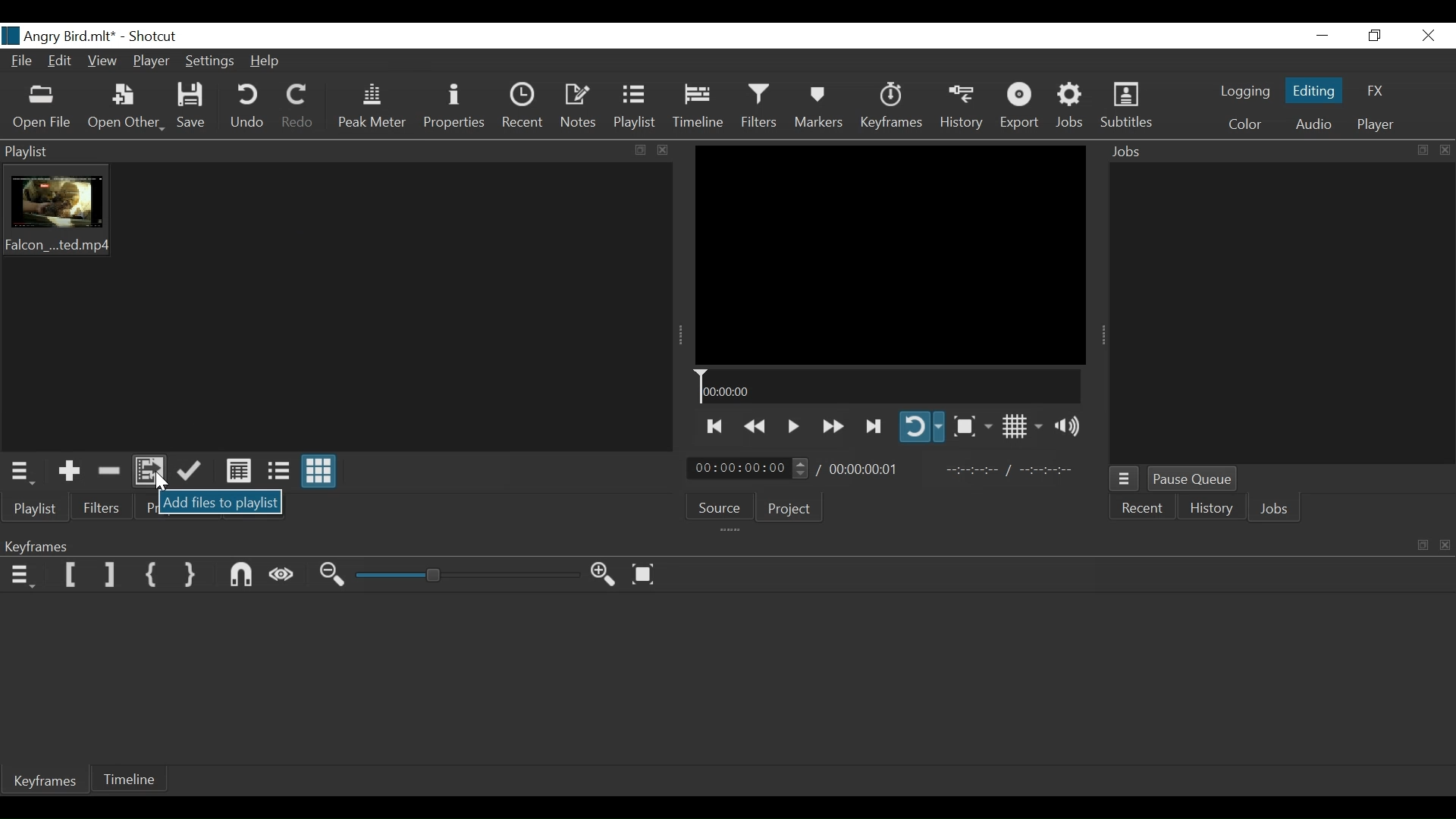 The image size is (1456, 819). Describe the element at coordinates (62, 61) in the screenshot. I see `Edit` at that location.